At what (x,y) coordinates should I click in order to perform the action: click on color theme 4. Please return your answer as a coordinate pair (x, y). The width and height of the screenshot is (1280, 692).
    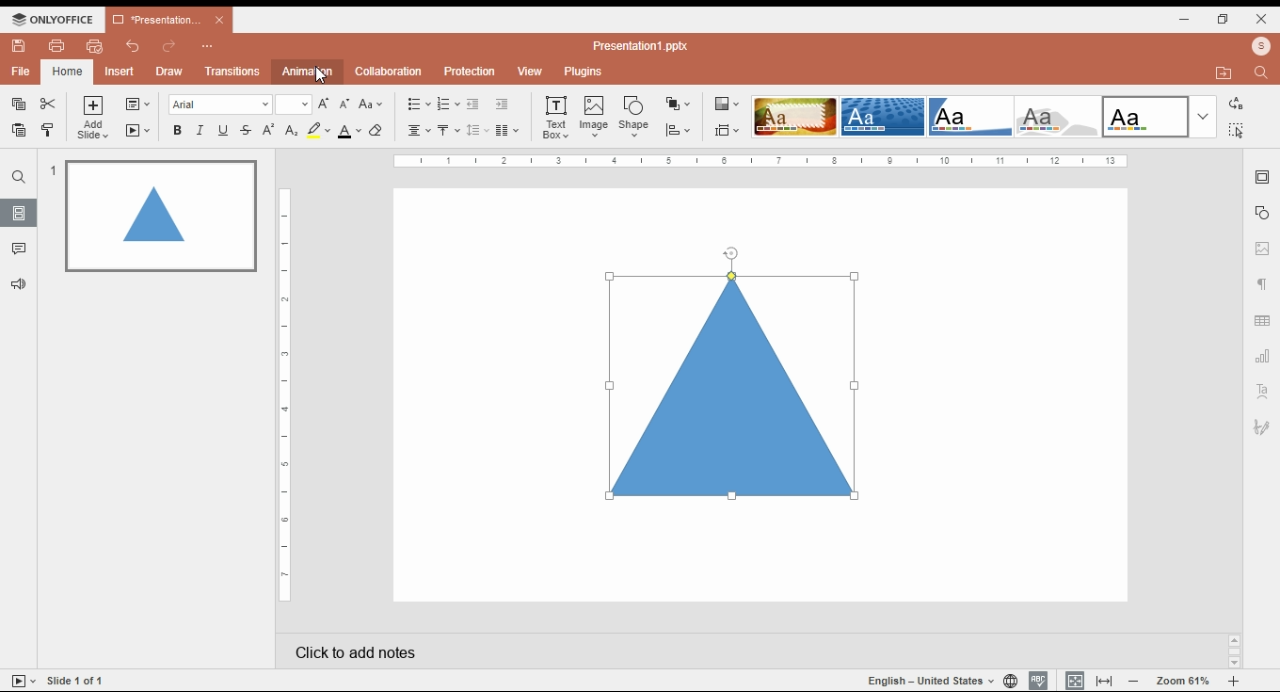
    Looking at the image, I should click on (1057, 116).